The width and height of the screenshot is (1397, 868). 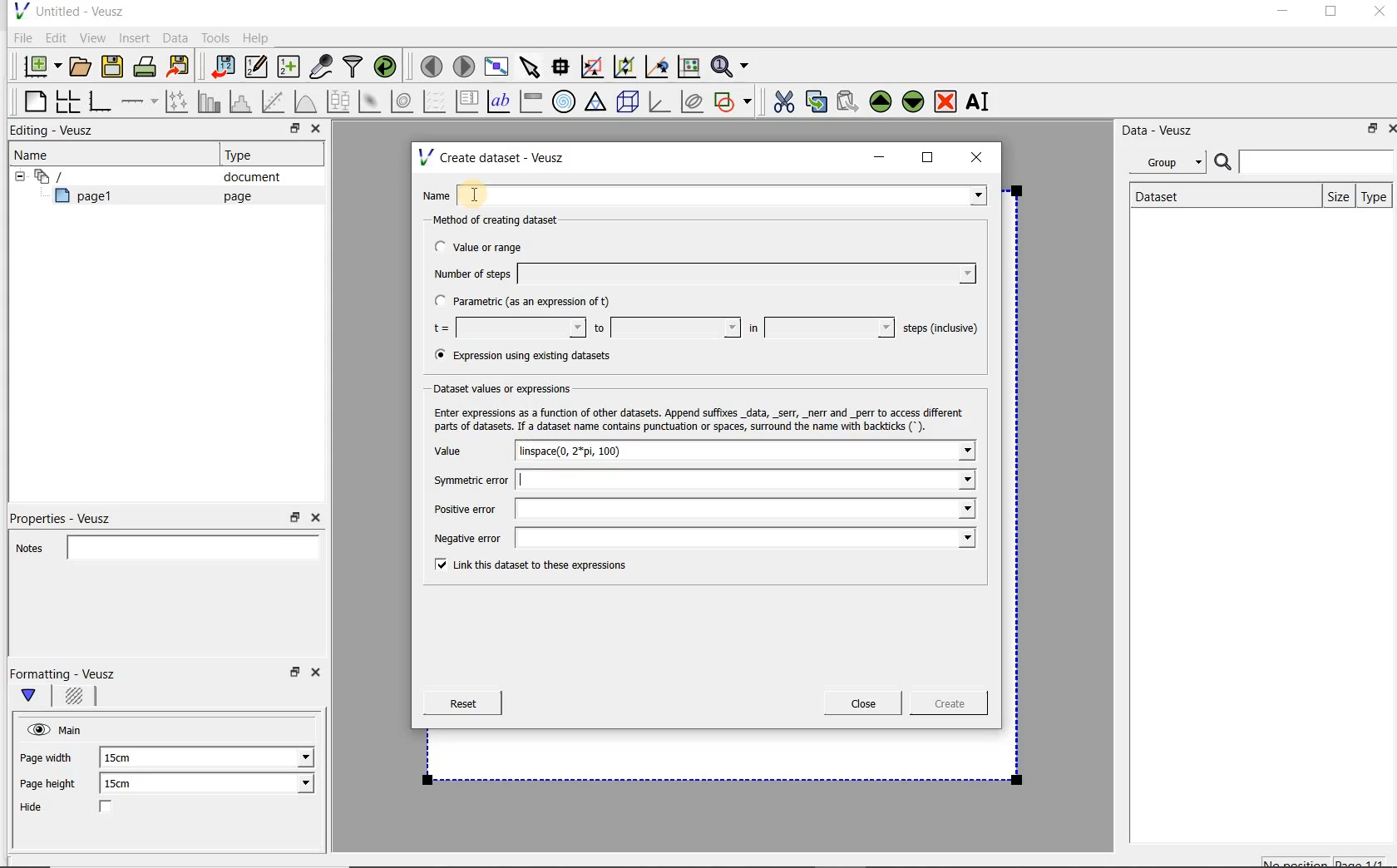 I want to click on Value or range, so click(x=493, y=244).